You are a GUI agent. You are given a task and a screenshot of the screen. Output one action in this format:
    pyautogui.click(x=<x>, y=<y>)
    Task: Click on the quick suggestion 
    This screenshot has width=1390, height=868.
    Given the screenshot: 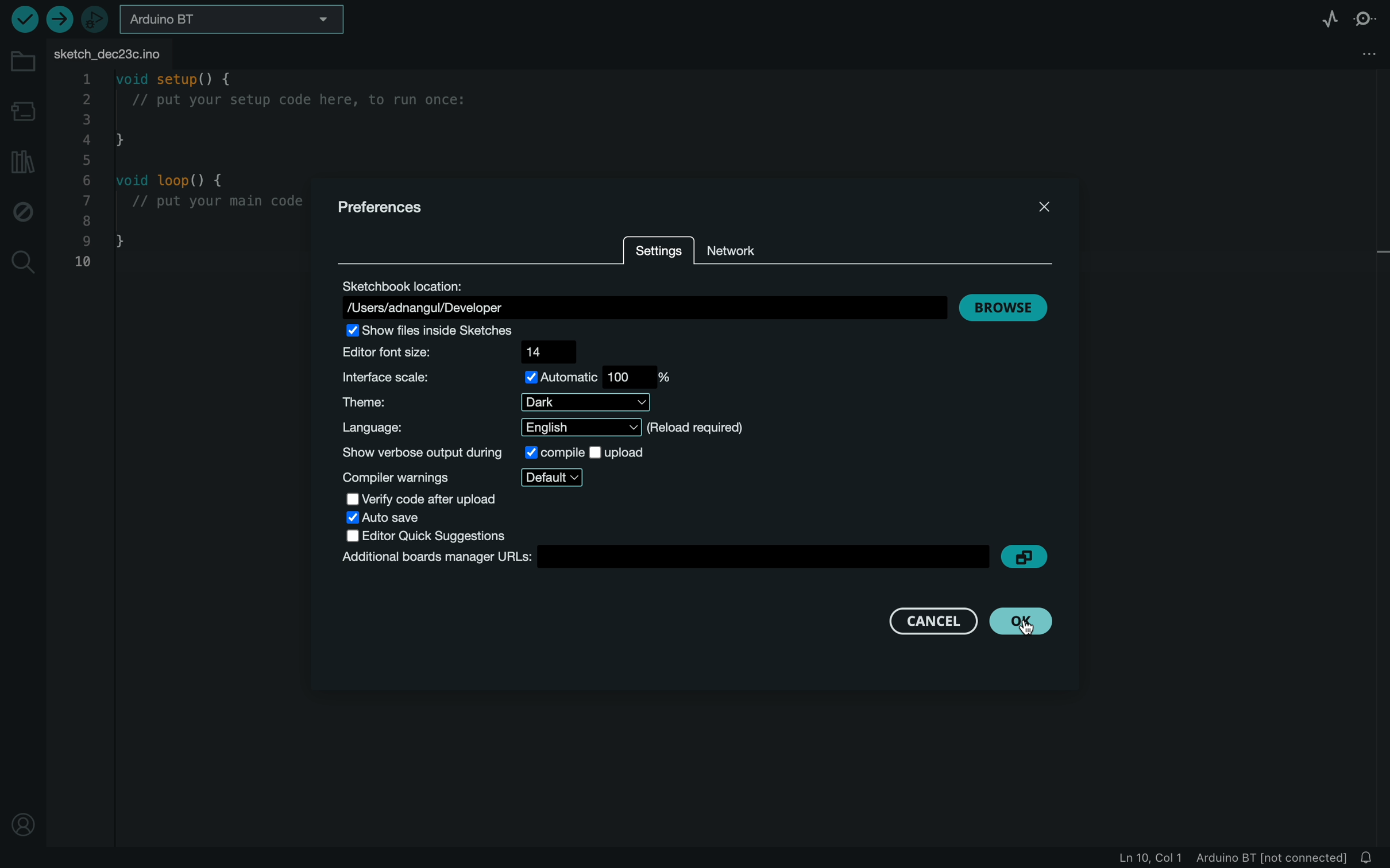 What is the action you would take?
    pyautogui.click(x=420, y=536)
    